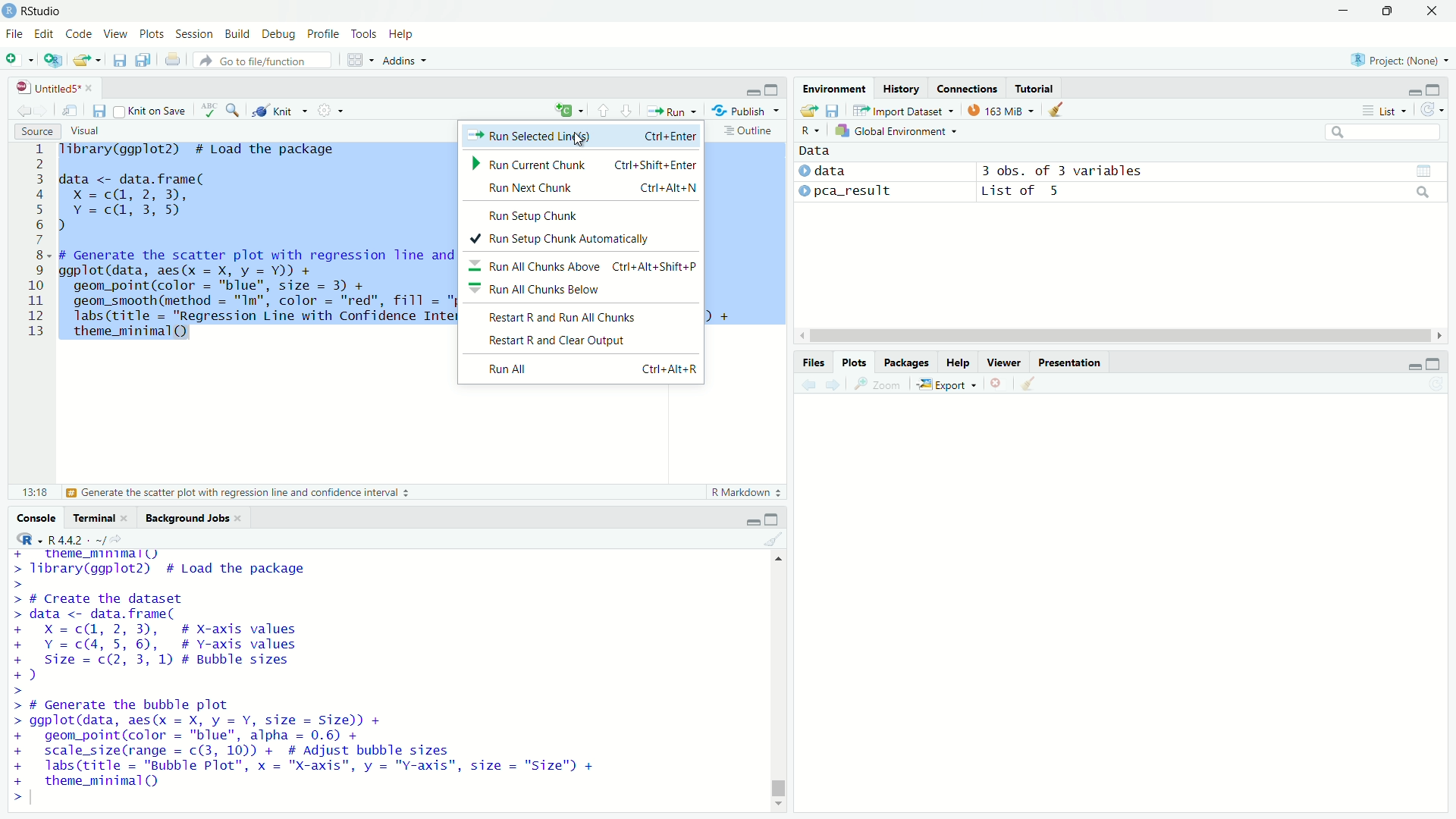  What do you see at coordinates (280, 109) in the screenshot?
I see `Knit` at bounding box center [280, 109].